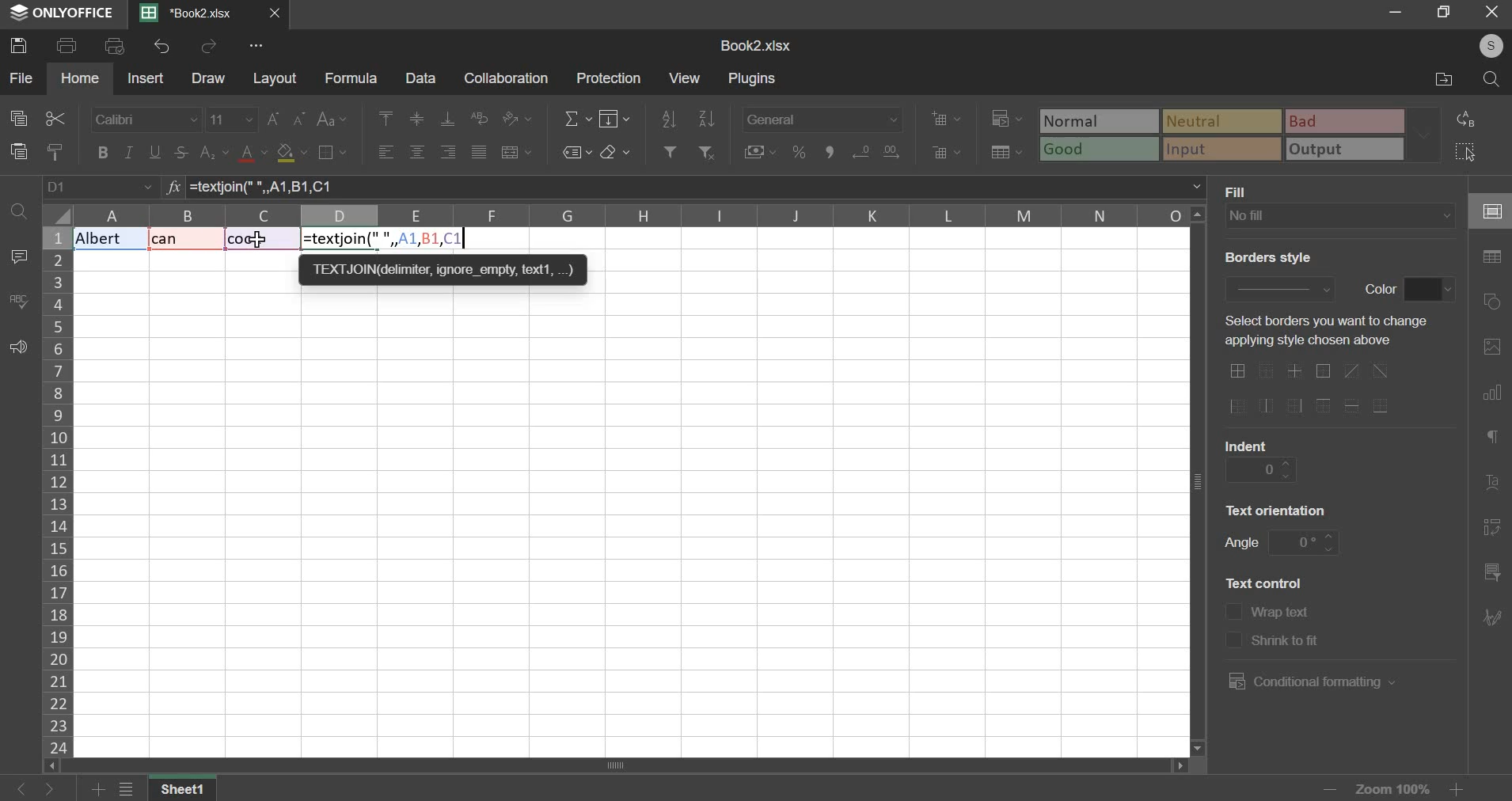 The height and width of the screenshot is (801, 1512). What do you see at coordinates (18, 348) in the screenshot?
I see `feedback` at bounding box center [18, 348].